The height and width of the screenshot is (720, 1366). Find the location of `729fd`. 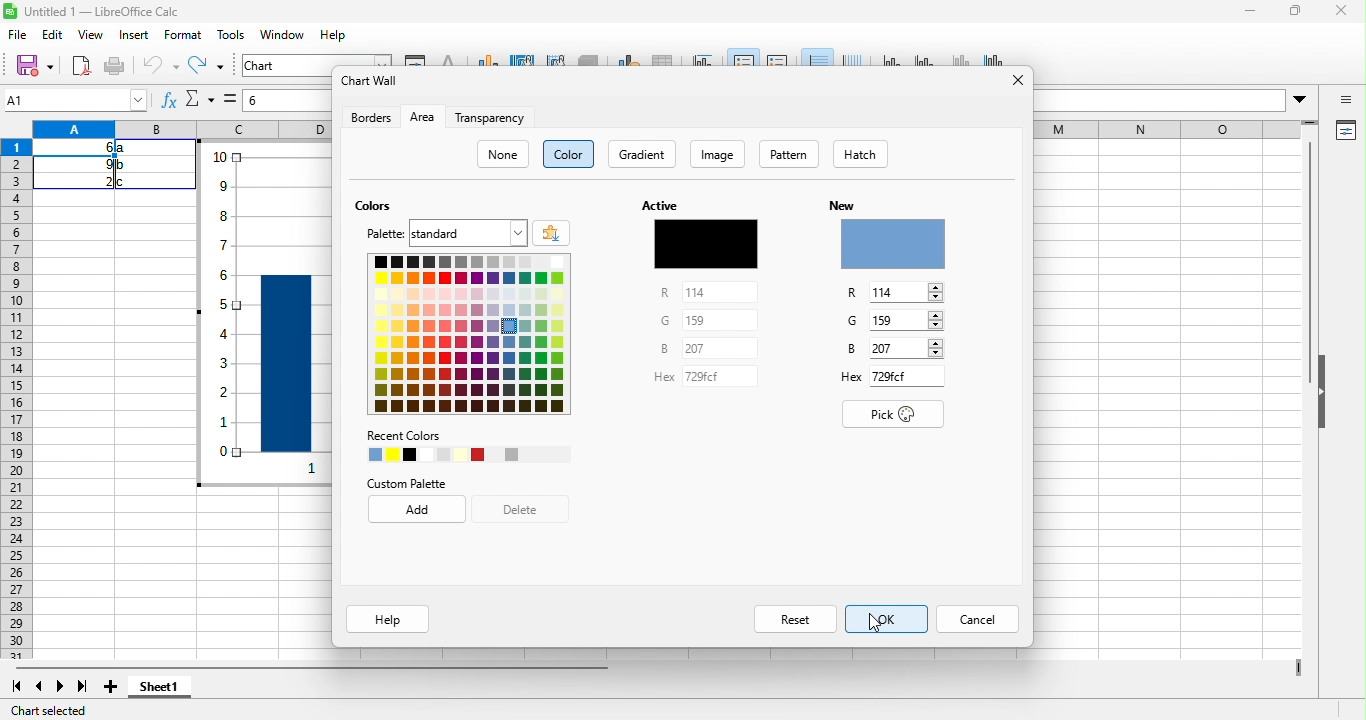

729fd is located at coordinates (908, 377).